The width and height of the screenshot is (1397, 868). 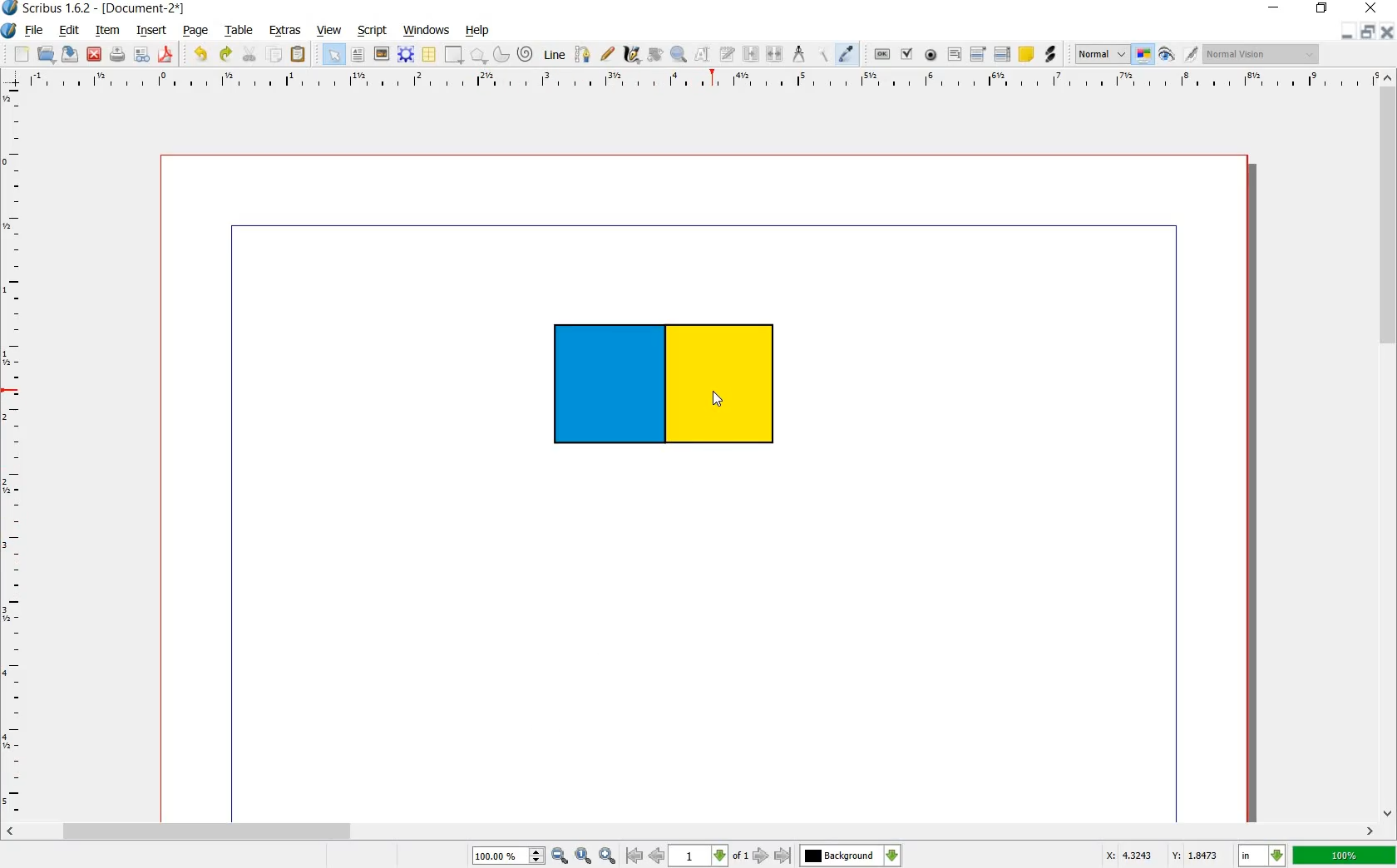 What do you see at coordinates (1260, 855) in the screenshot?
I see `select current unit` at bounding box center [1260, 855].